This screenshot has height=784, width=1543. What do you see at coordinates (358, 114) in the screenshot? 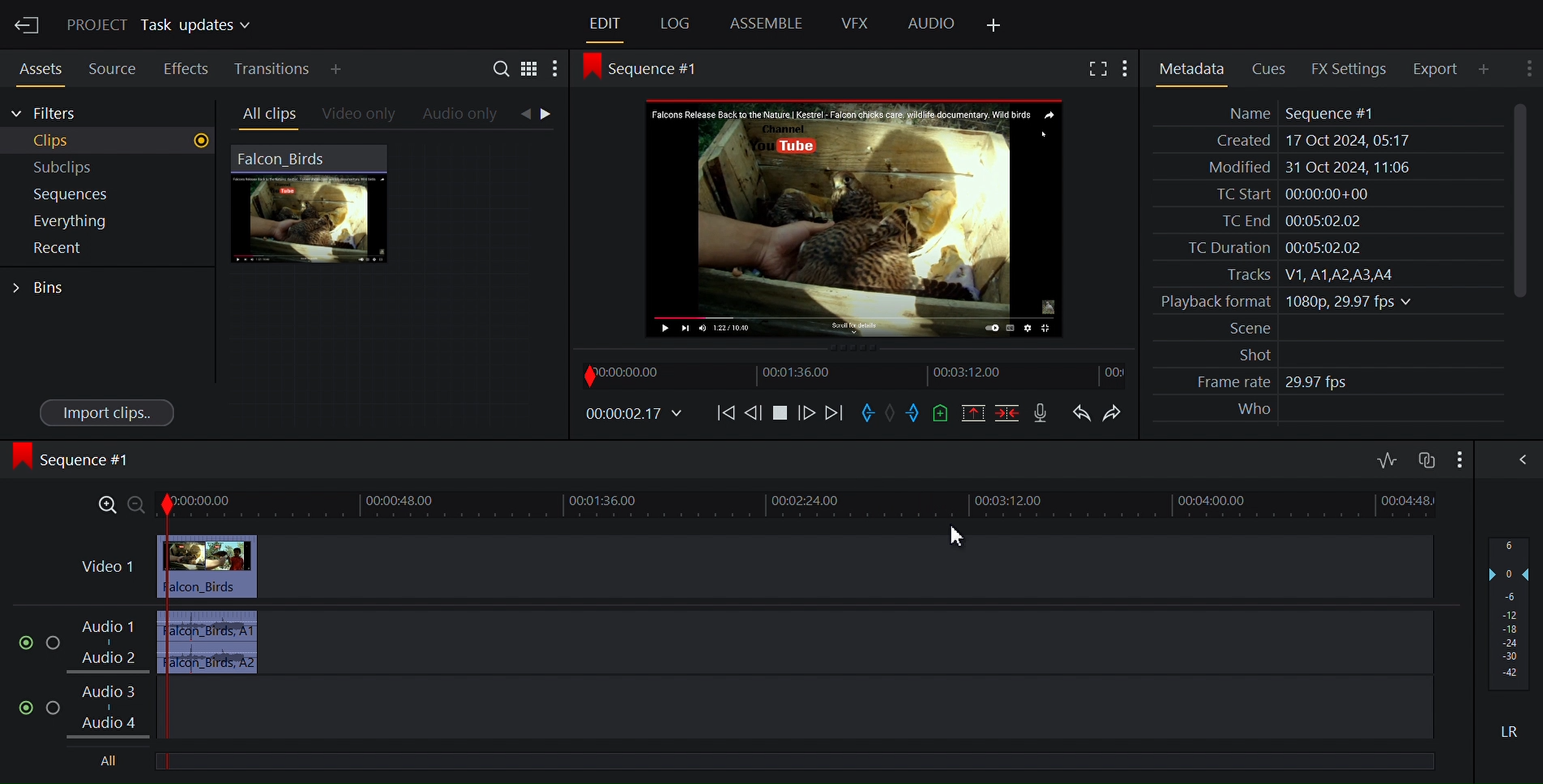
I see `Videos only` at bounding box center [358, 114].